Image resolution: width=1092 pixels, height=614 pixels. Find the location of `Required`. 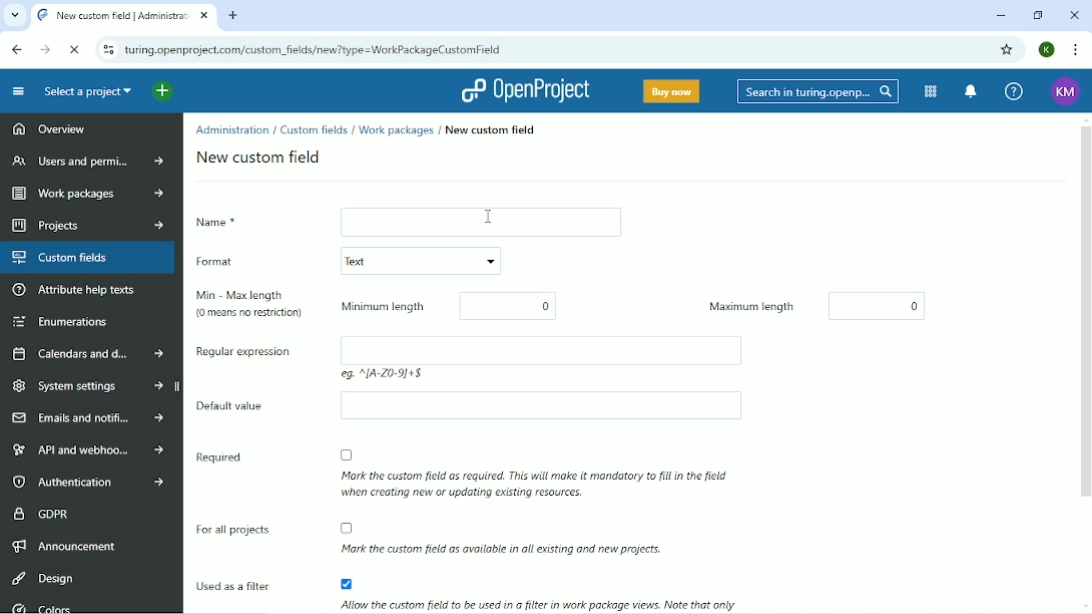

Required is located at coordinates (216, 475).